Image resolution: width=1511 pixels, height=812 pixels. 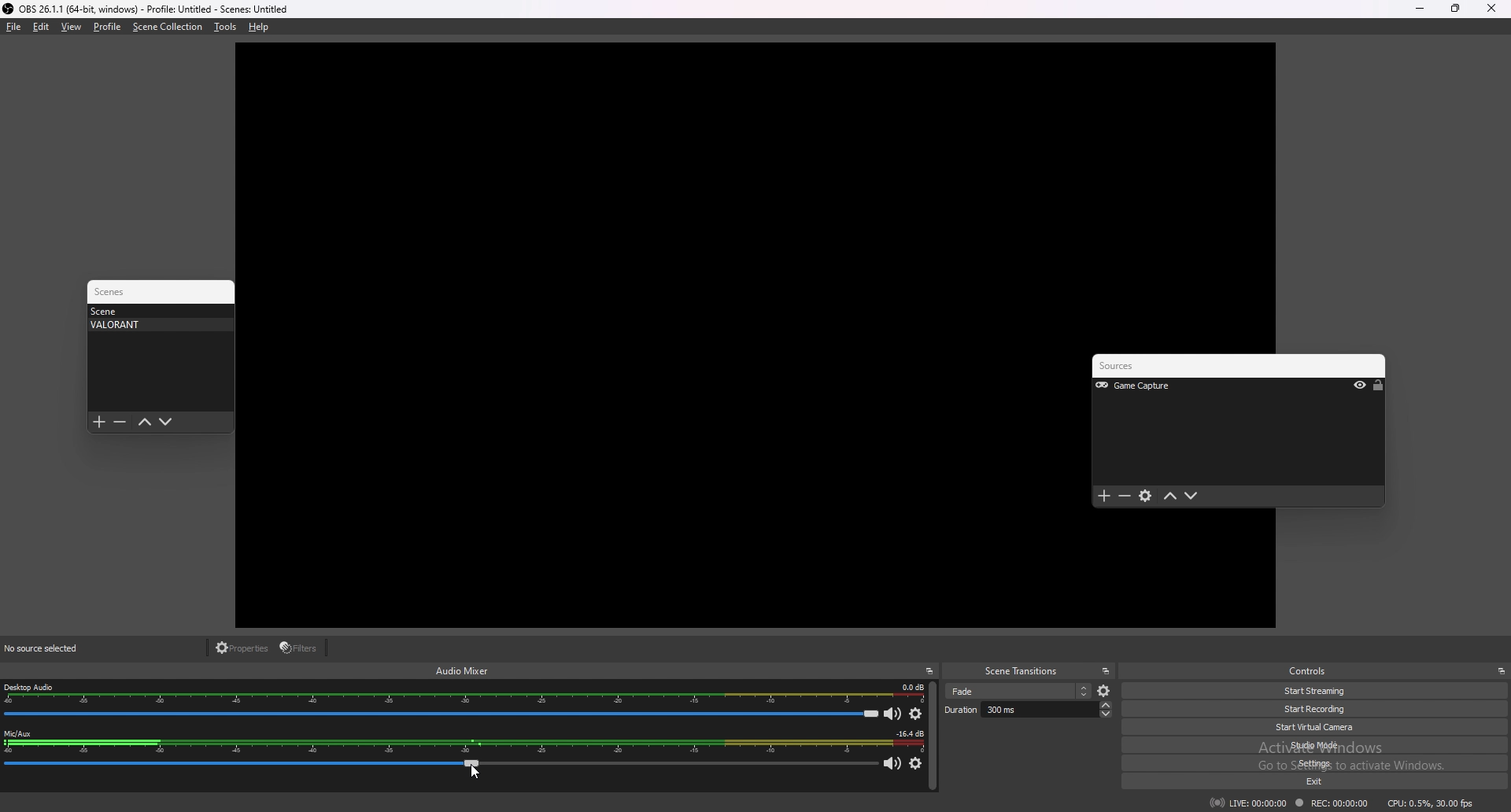 What do you see at coordinates (259, 27) in the screenshot?
I see `help` at bounding box center [259, 27].